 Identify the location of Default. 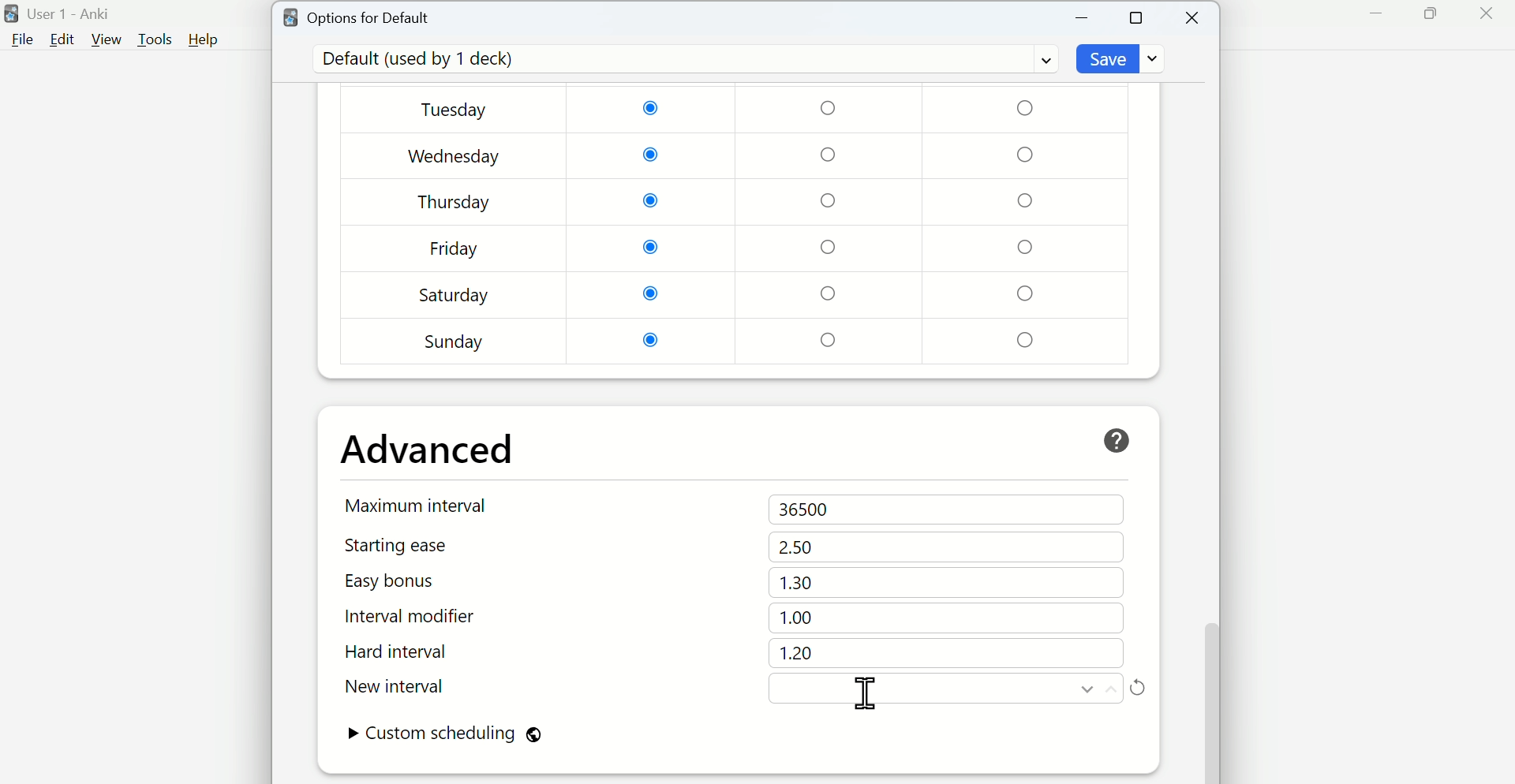
(683, 59).